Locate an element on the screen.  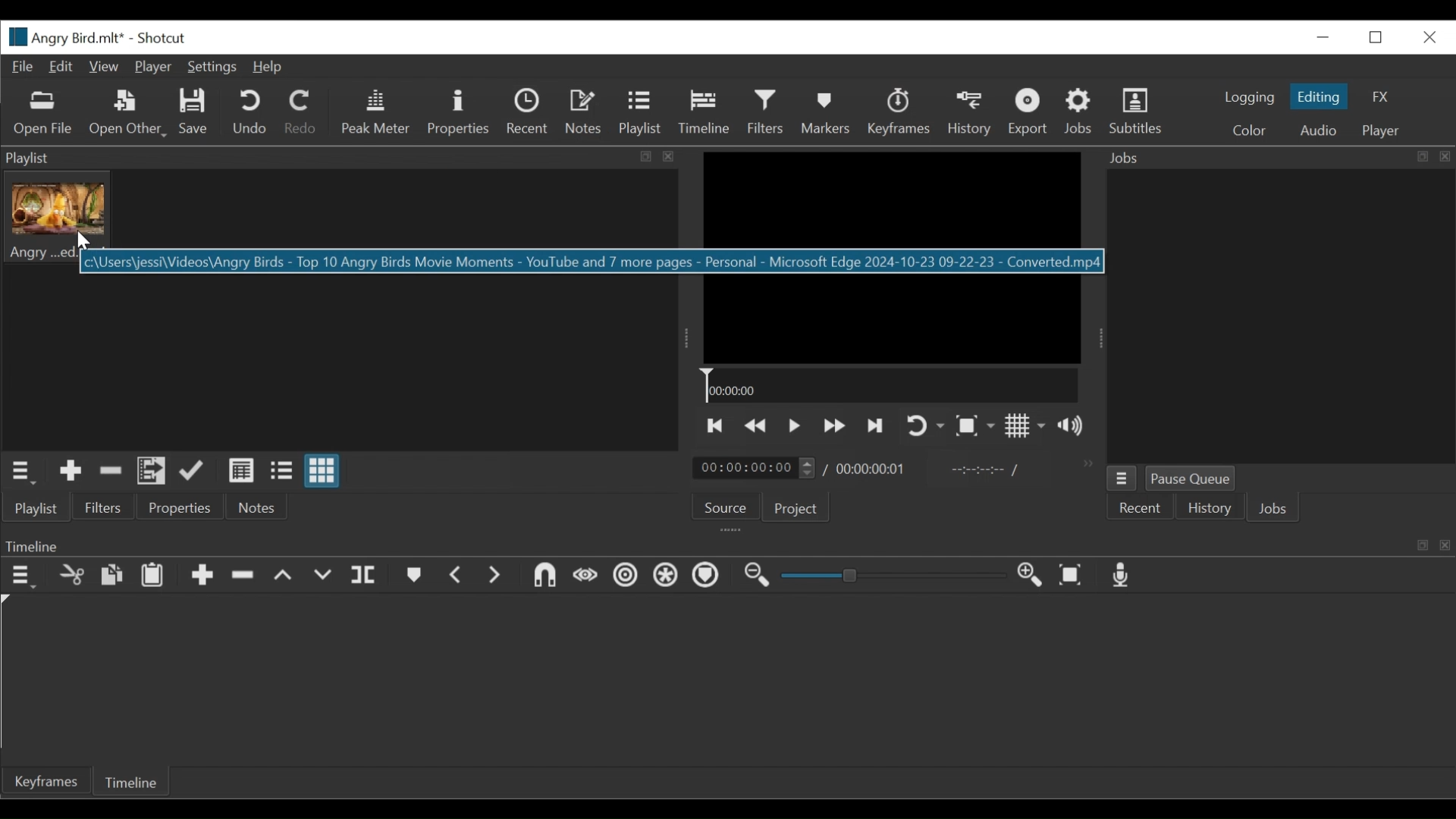
Overwrite is located at coordinates (325, 575).